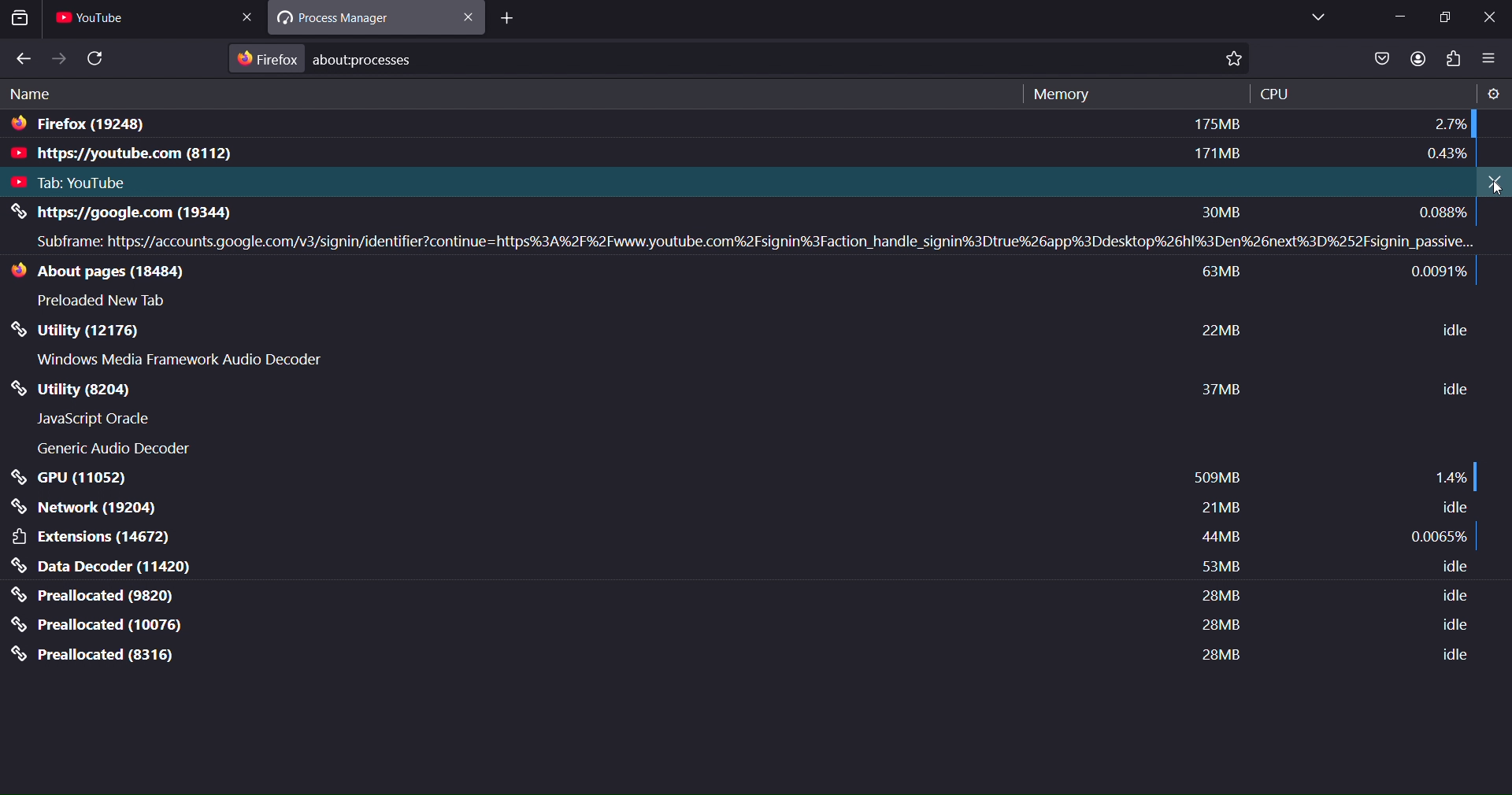 This screenshot has height=795, width=1512. I want to click on CPU, so click(1276, 94).